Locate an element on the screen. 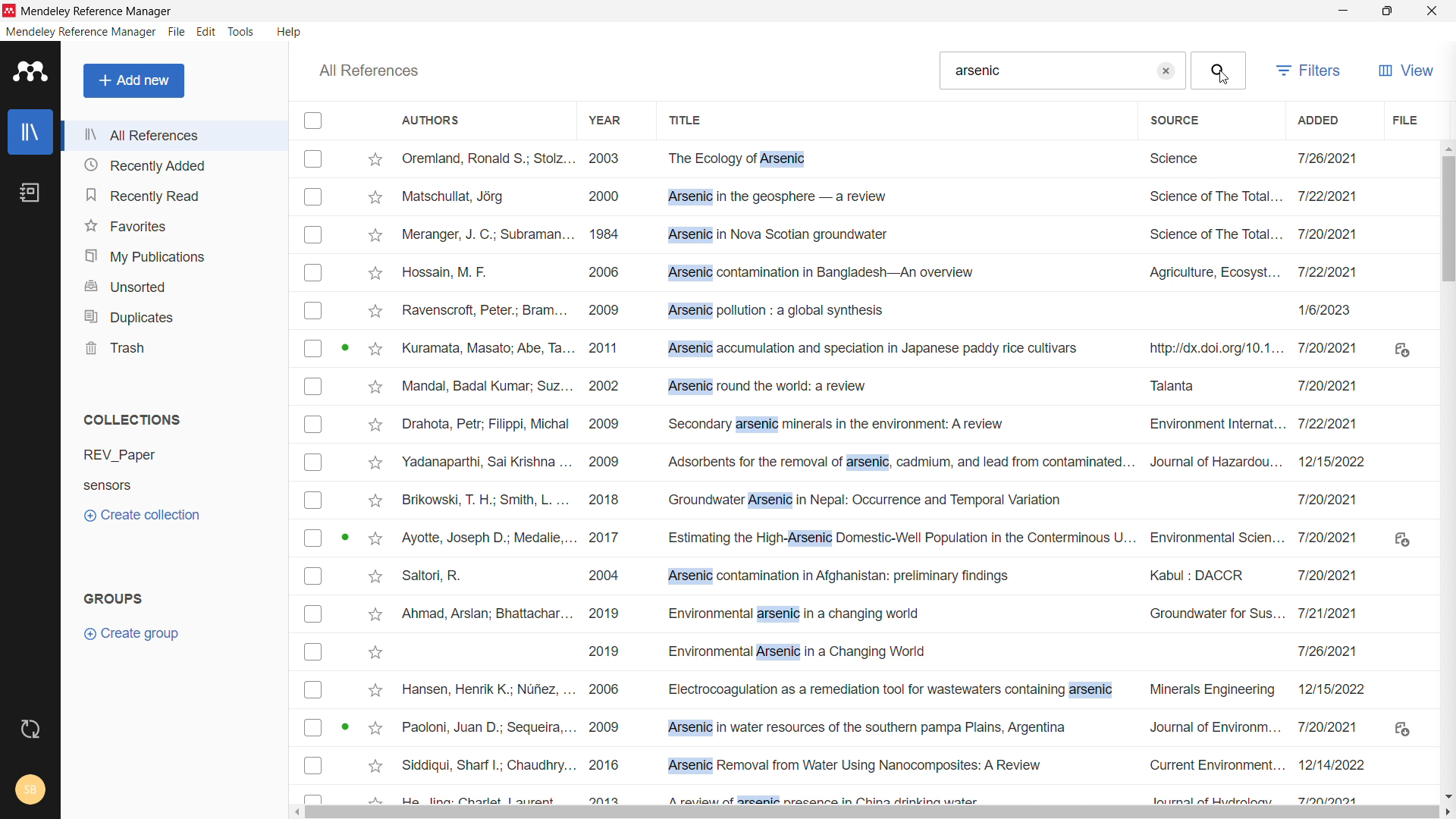 This screenshot has width=1456, height=819. my publications is located at coordinates (174, 254).